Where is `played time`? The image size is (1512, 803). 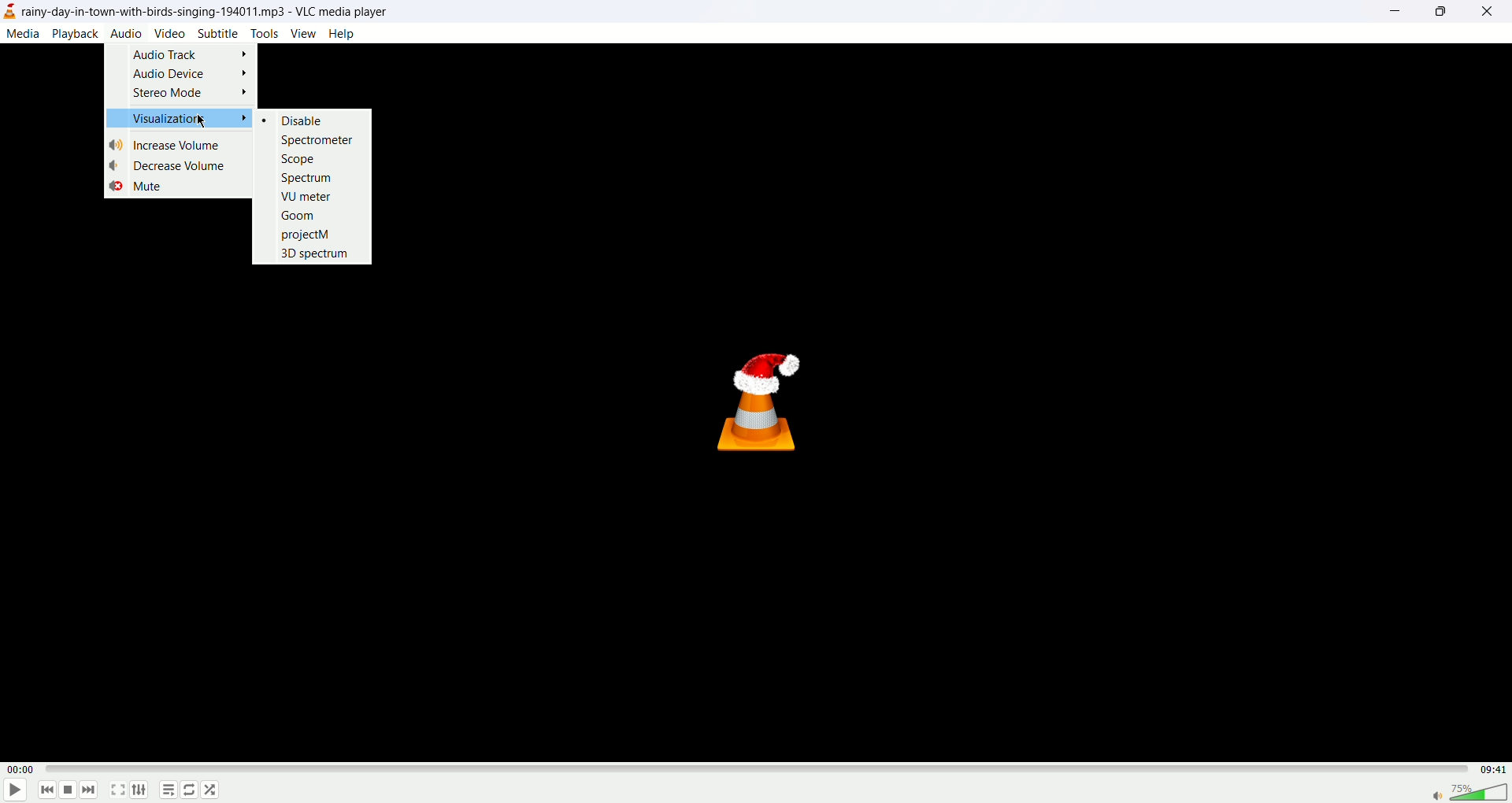
played time is located at coordinates (20, 770).